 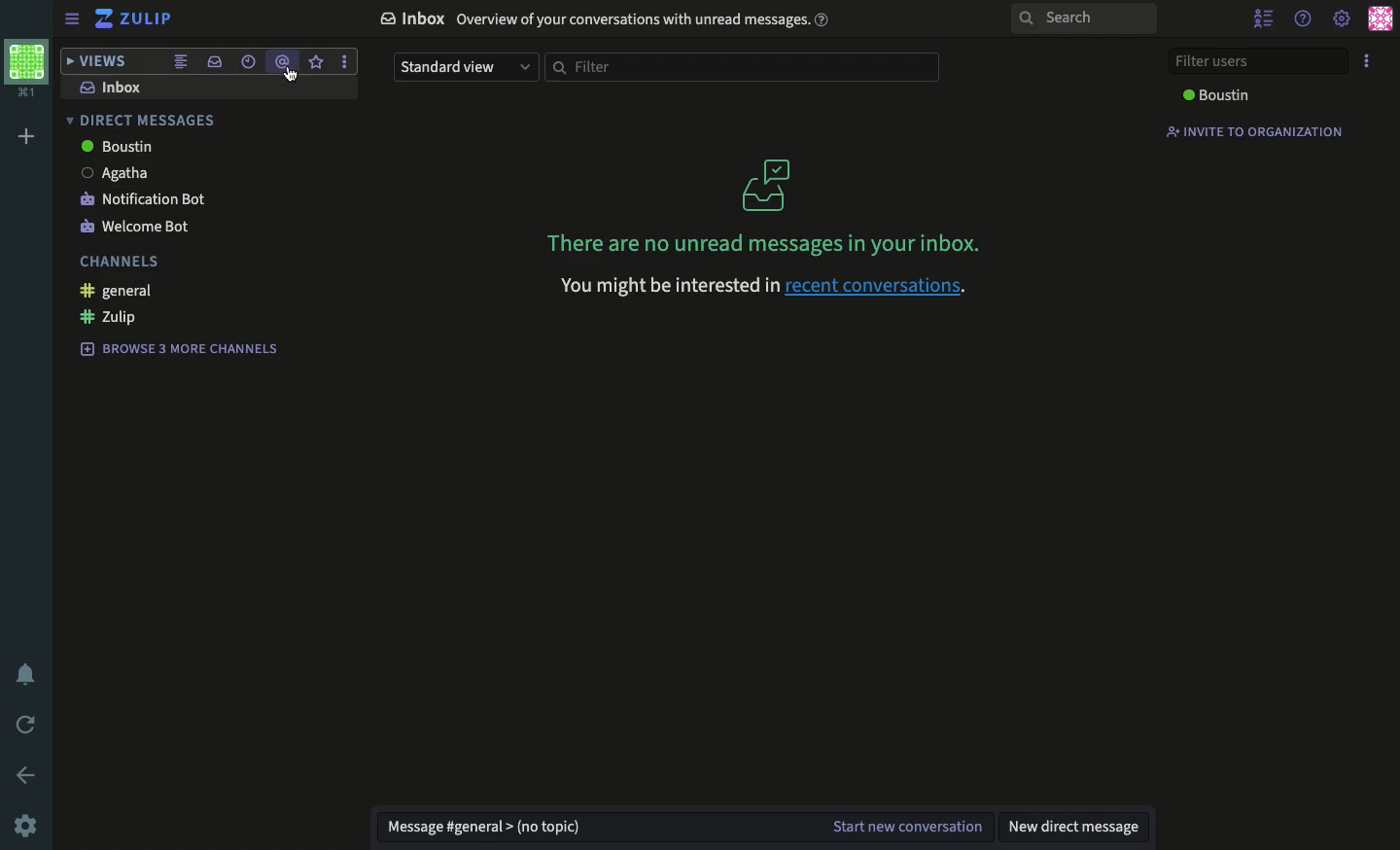 What do you see at coordinates (185, 59) in the screenshot?
I see `combined feed` at bounding box center [185, 59].